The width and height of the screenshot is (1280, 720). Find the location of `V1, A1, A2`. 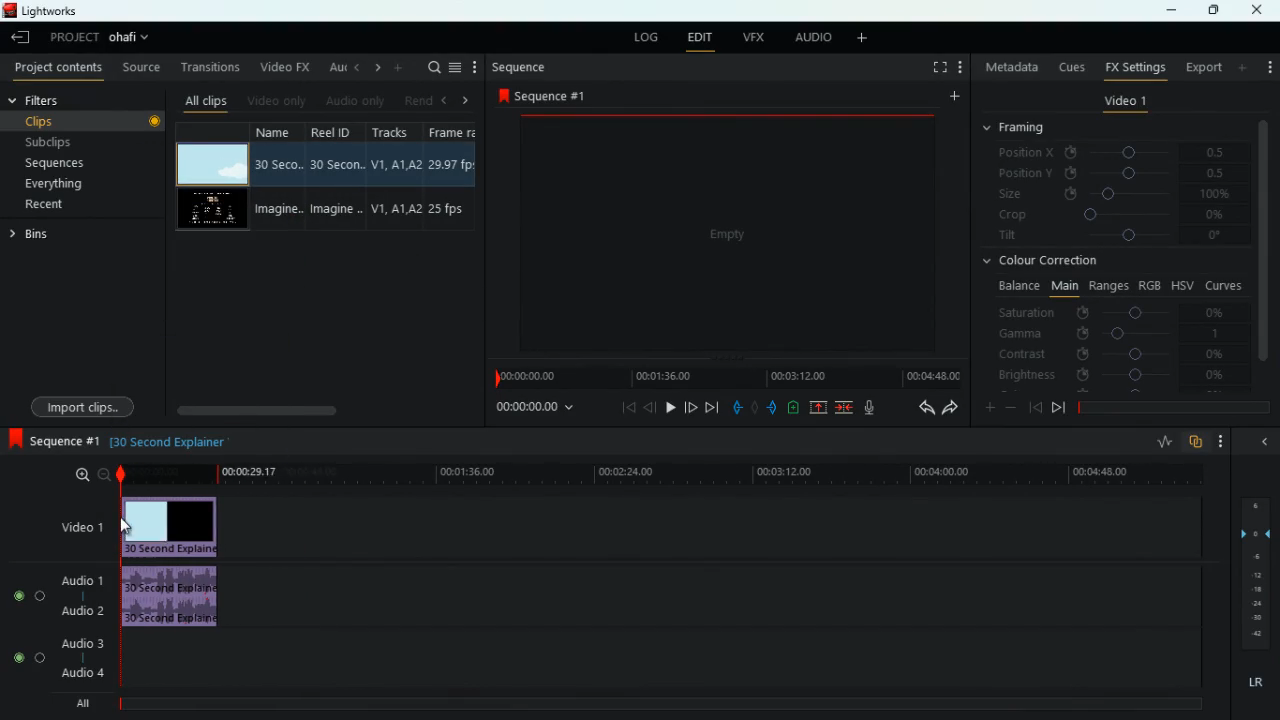

V1, A1, A2 is located at coordinates (396, 210).